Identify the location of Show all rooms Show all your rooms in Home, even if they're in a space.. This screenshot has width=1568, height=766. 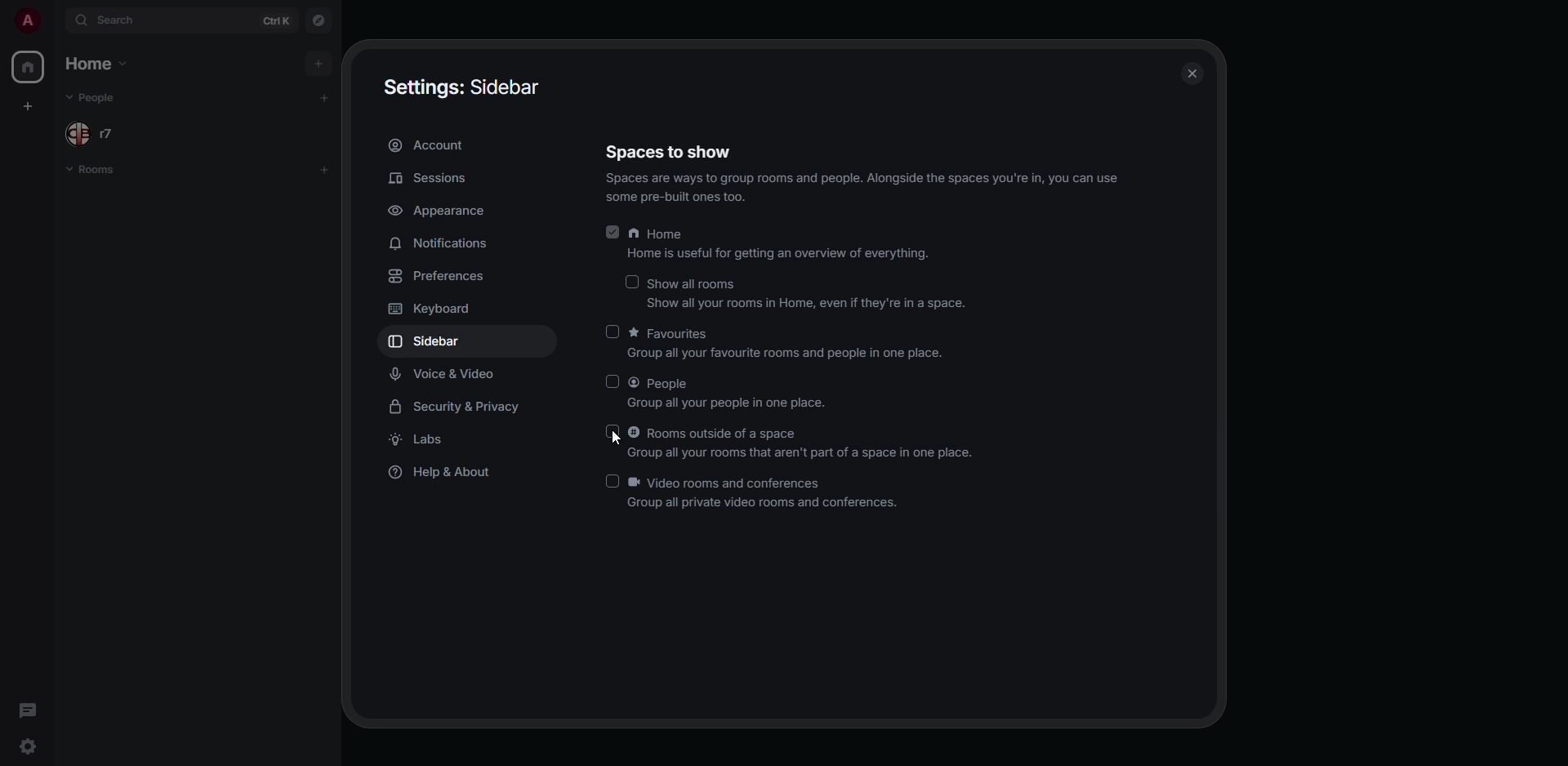
(808, 295).